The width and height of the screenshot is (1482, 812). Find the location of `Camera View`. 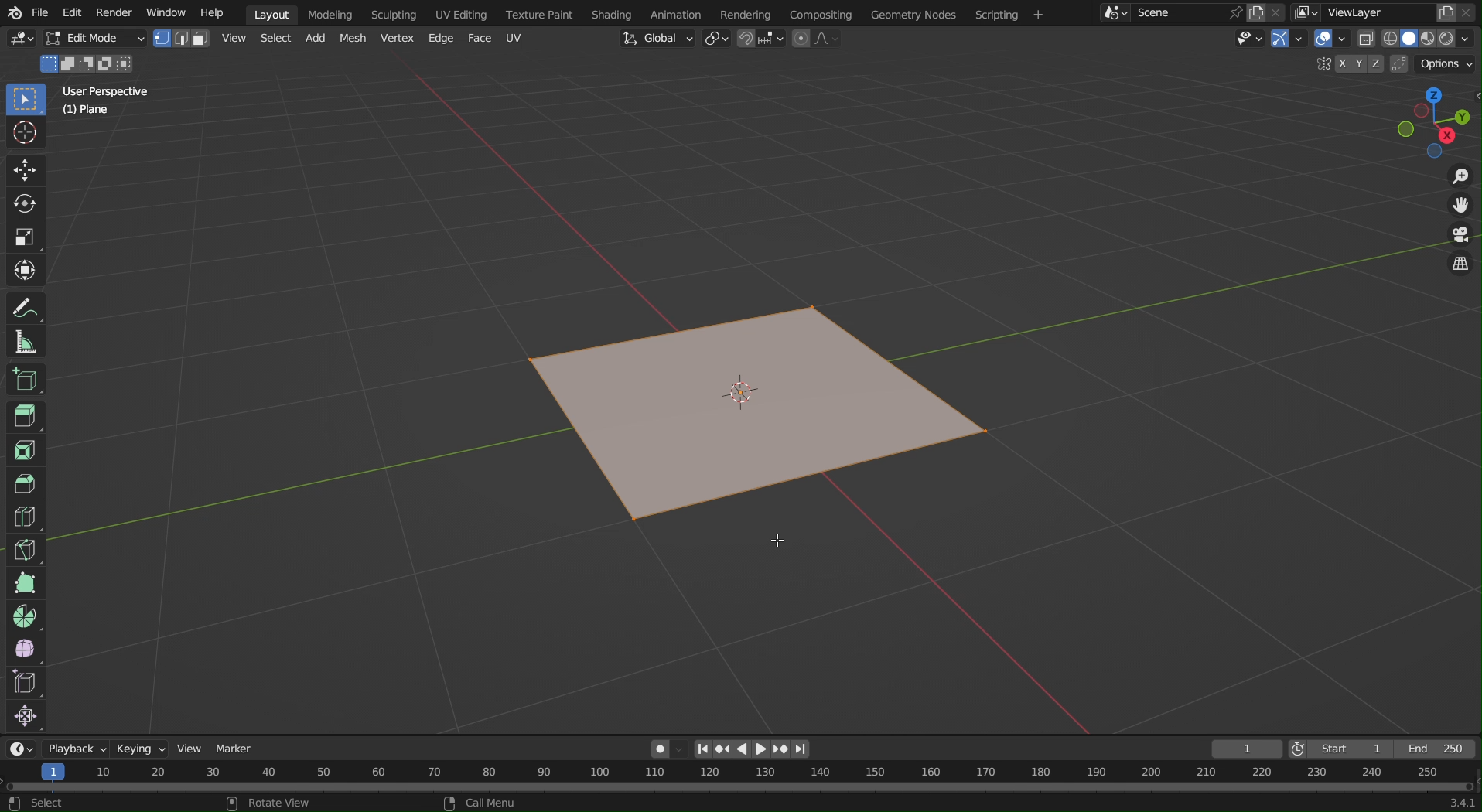

Camera View is located at coordinates (1460, 237).